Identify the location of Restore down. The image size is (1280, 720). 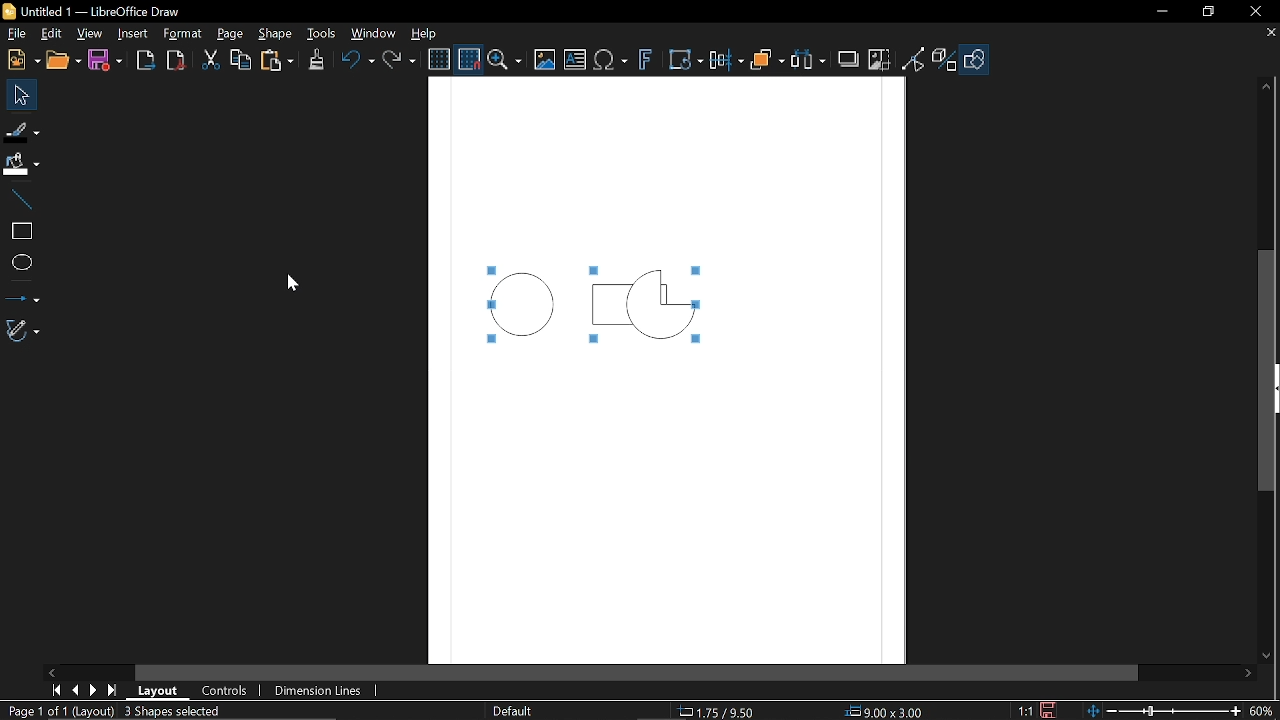
(1208, 13).